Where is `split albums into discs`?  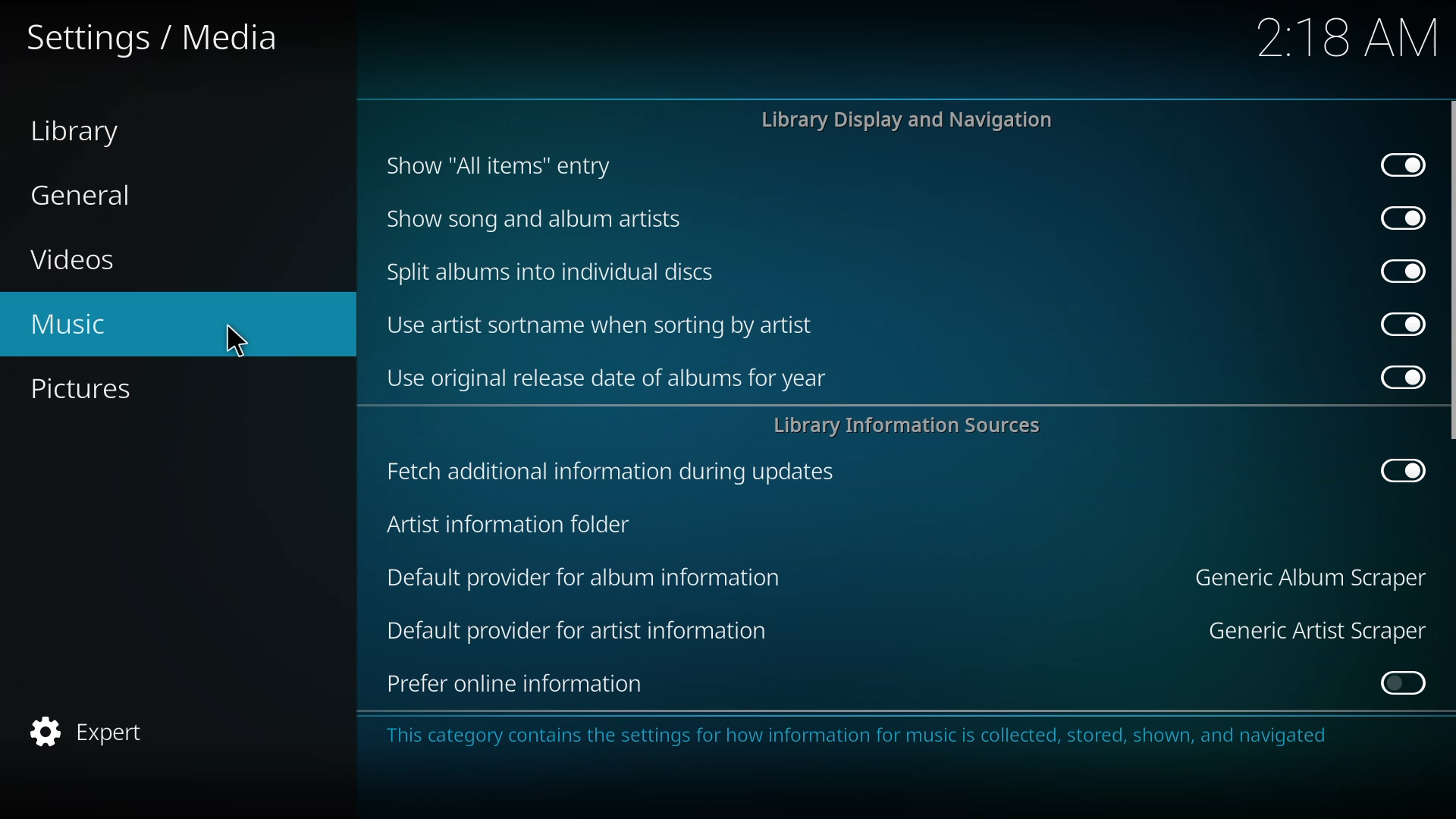 split albums into discs is located at coordinates (548, 270).